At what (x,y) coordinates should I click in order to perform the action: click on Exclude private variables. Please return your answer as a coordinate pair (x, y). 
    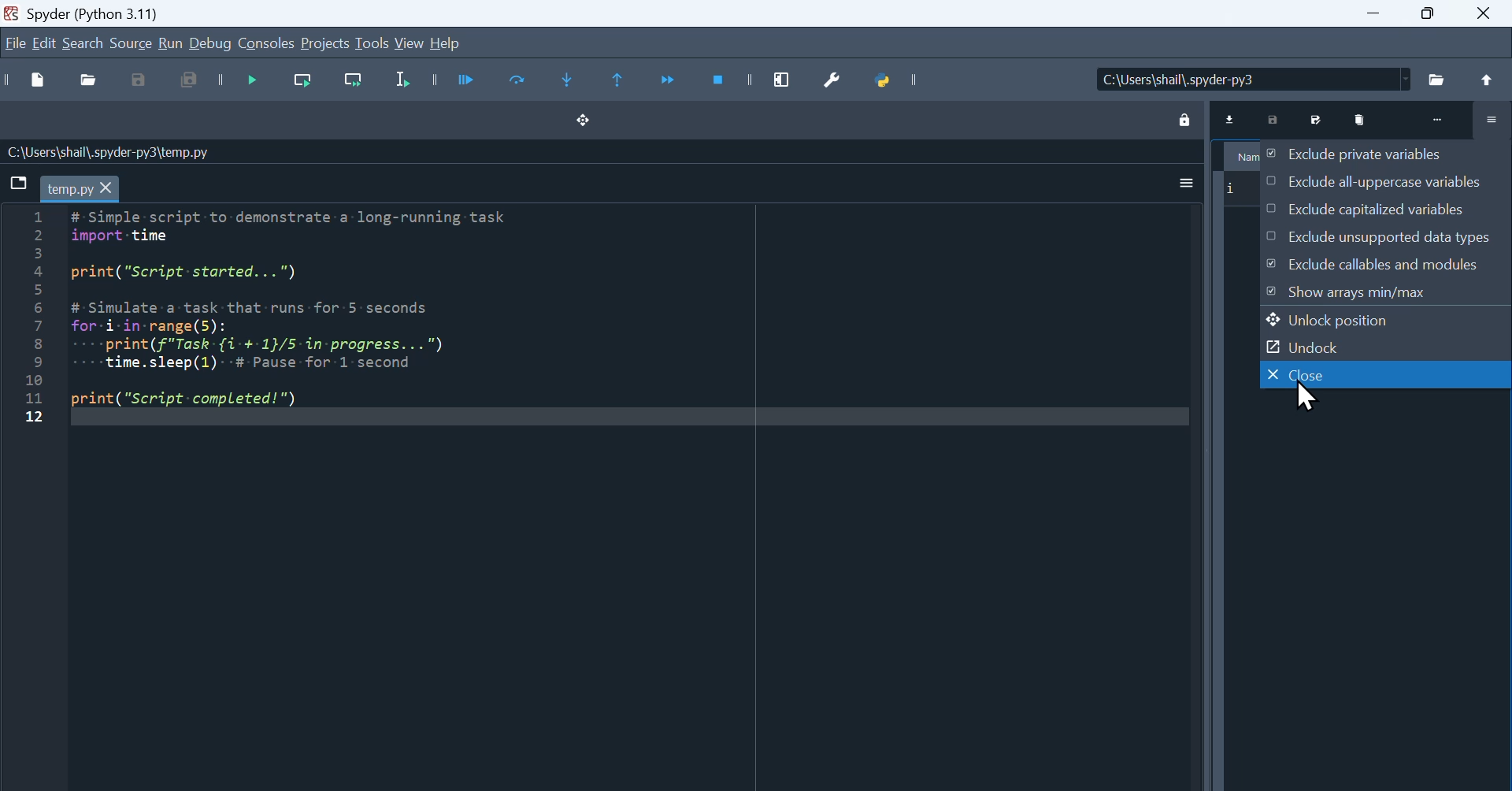
    Looking at the image, I should click on (1385, 153).